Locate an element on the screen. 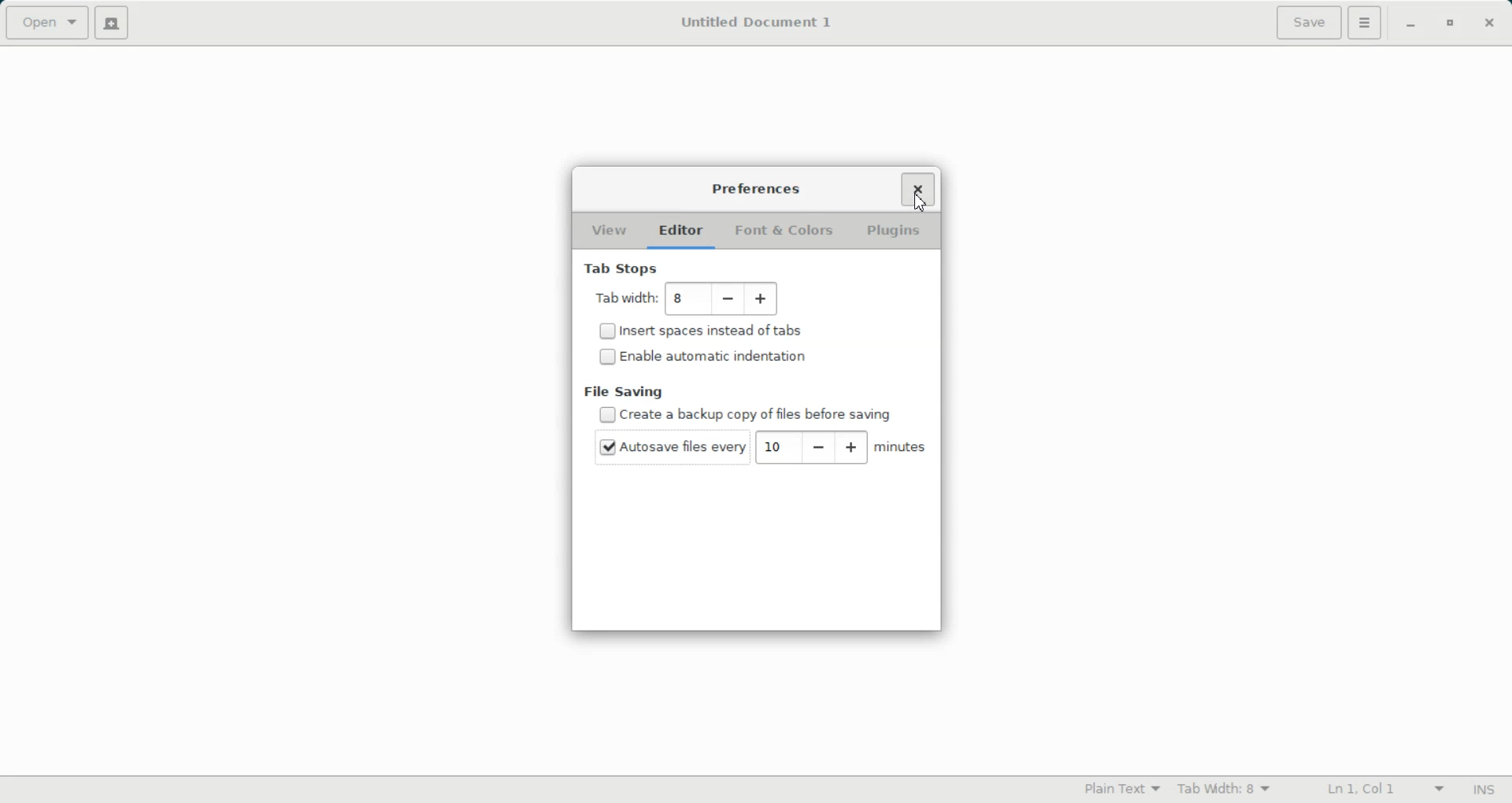 The width and height of the screenshot is (1512, 803). Plugins is located at coordinates (895, 232).